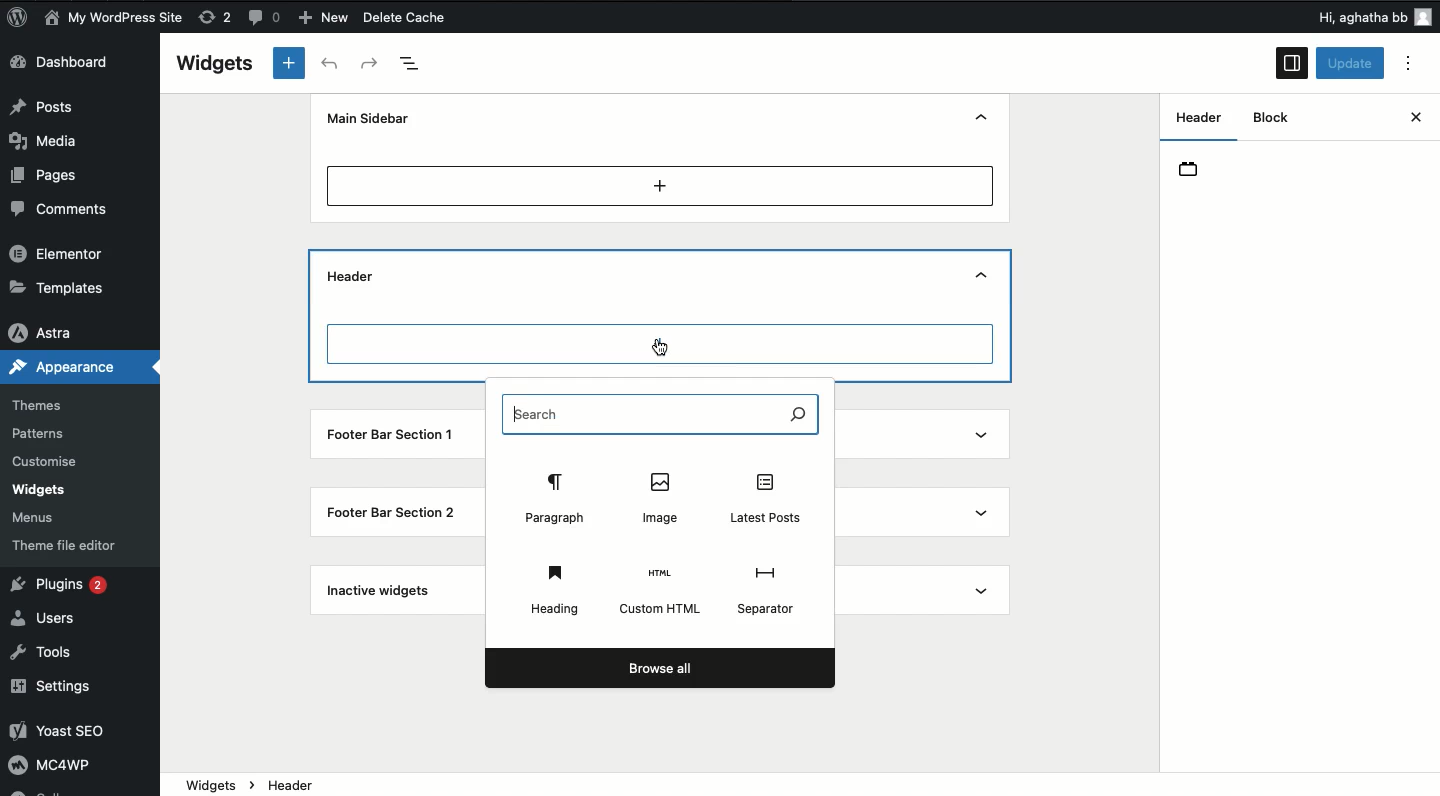  What do you see at coordinates (391, 512) in the screenshot?
I see `Footer bar section 2` at bounding box center [391, 512].